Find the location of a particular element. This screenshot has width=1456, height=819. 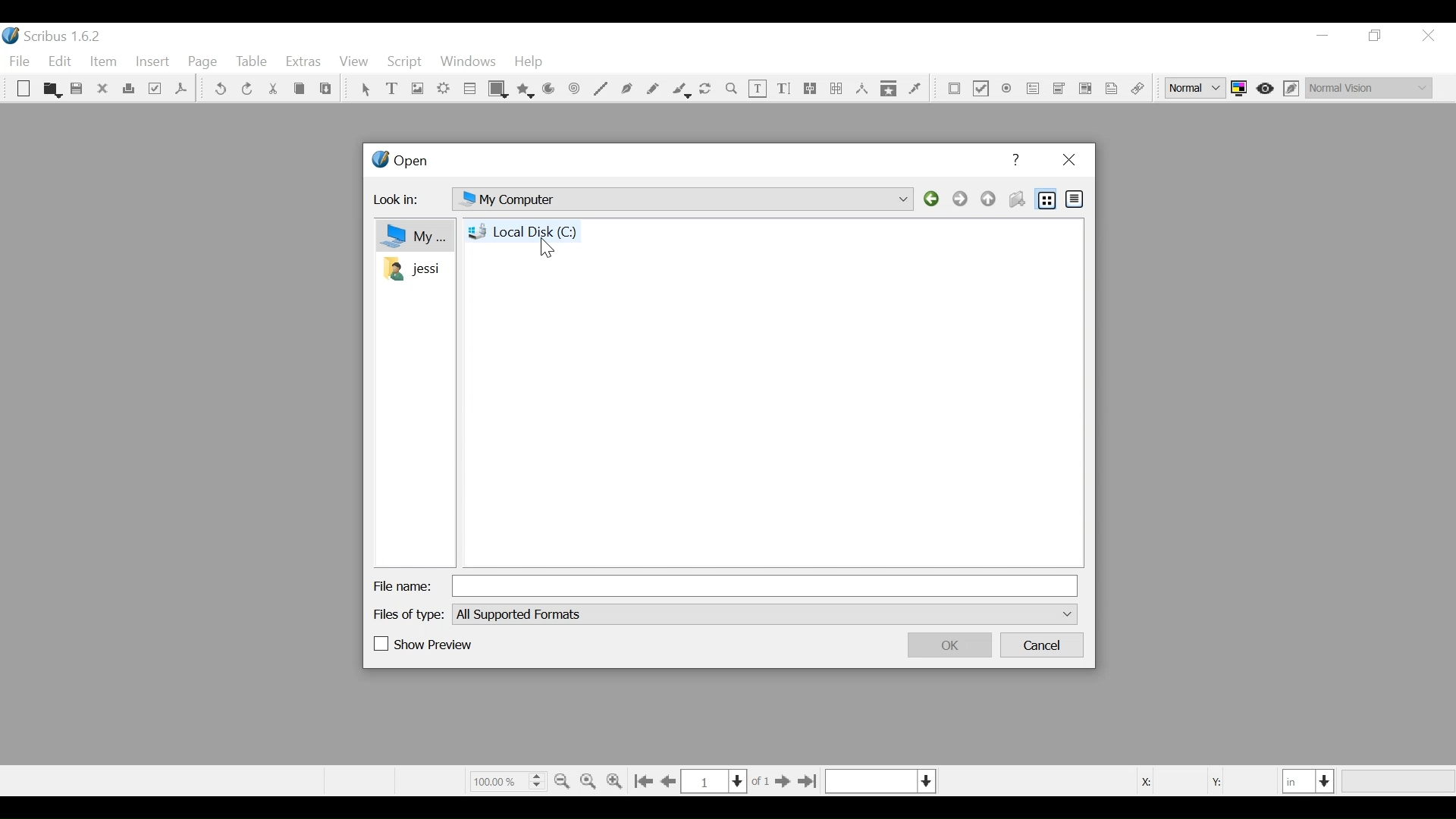

Go to next Page is located at coordinates (780, 783).